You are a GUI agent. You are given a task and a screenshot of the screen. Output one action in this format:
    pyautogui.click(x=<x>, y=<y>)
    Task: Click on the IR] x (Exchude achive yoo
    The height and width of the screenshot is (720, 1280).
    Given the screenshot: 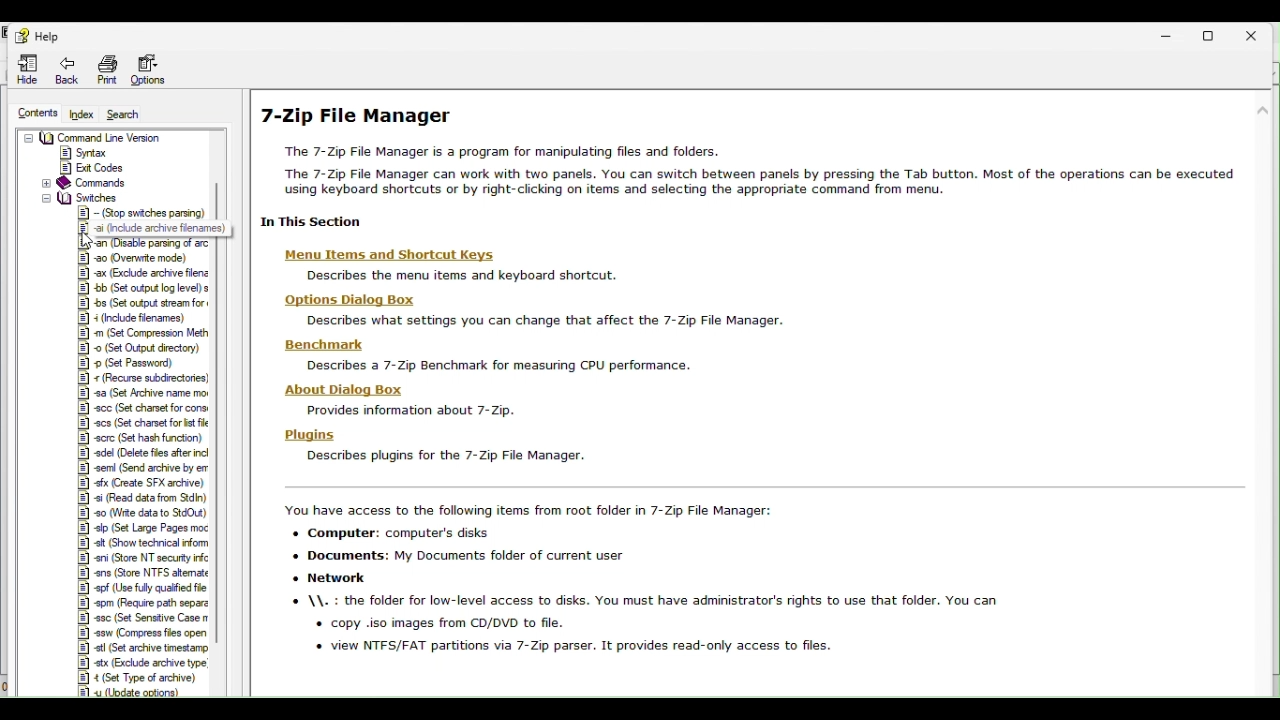 What is the action you would take?
    pyautogui.click(x=143, y=662)
    